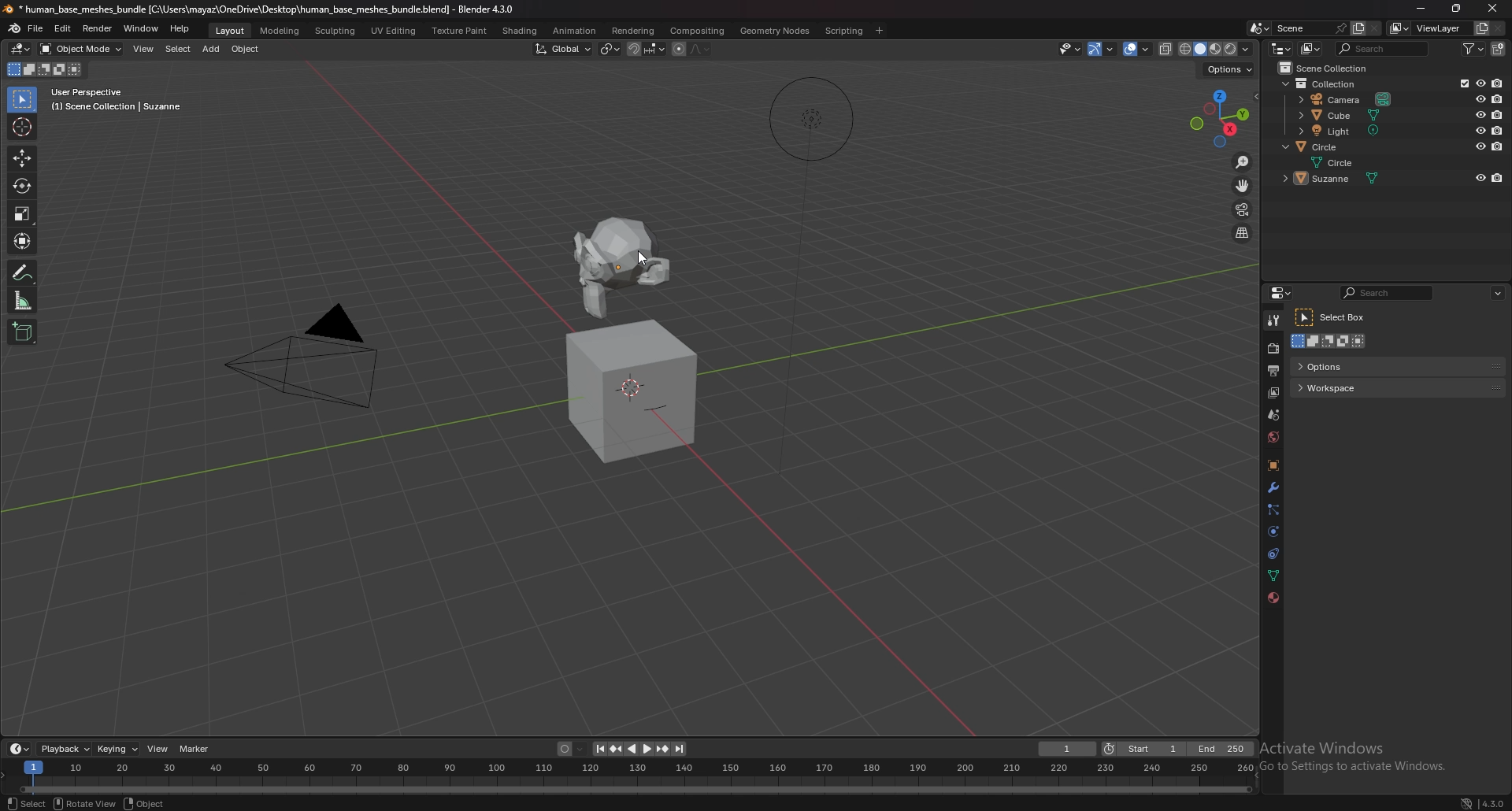  What do you see at coordinates (117, 748) in the screenshot?
I see `keying` at bounding box center [117, 748].